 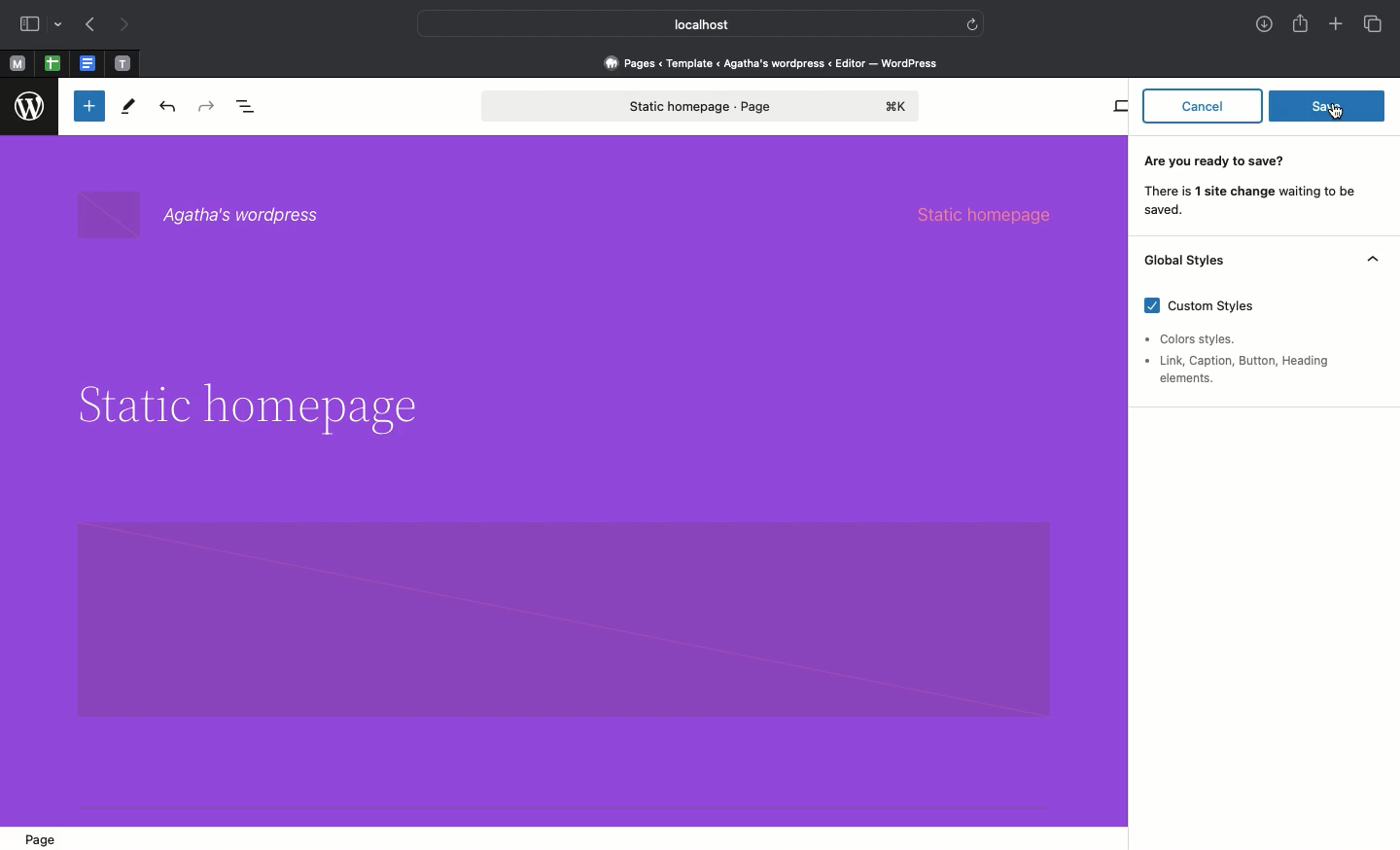 I want to click on View, so click(x=1119, y=106).